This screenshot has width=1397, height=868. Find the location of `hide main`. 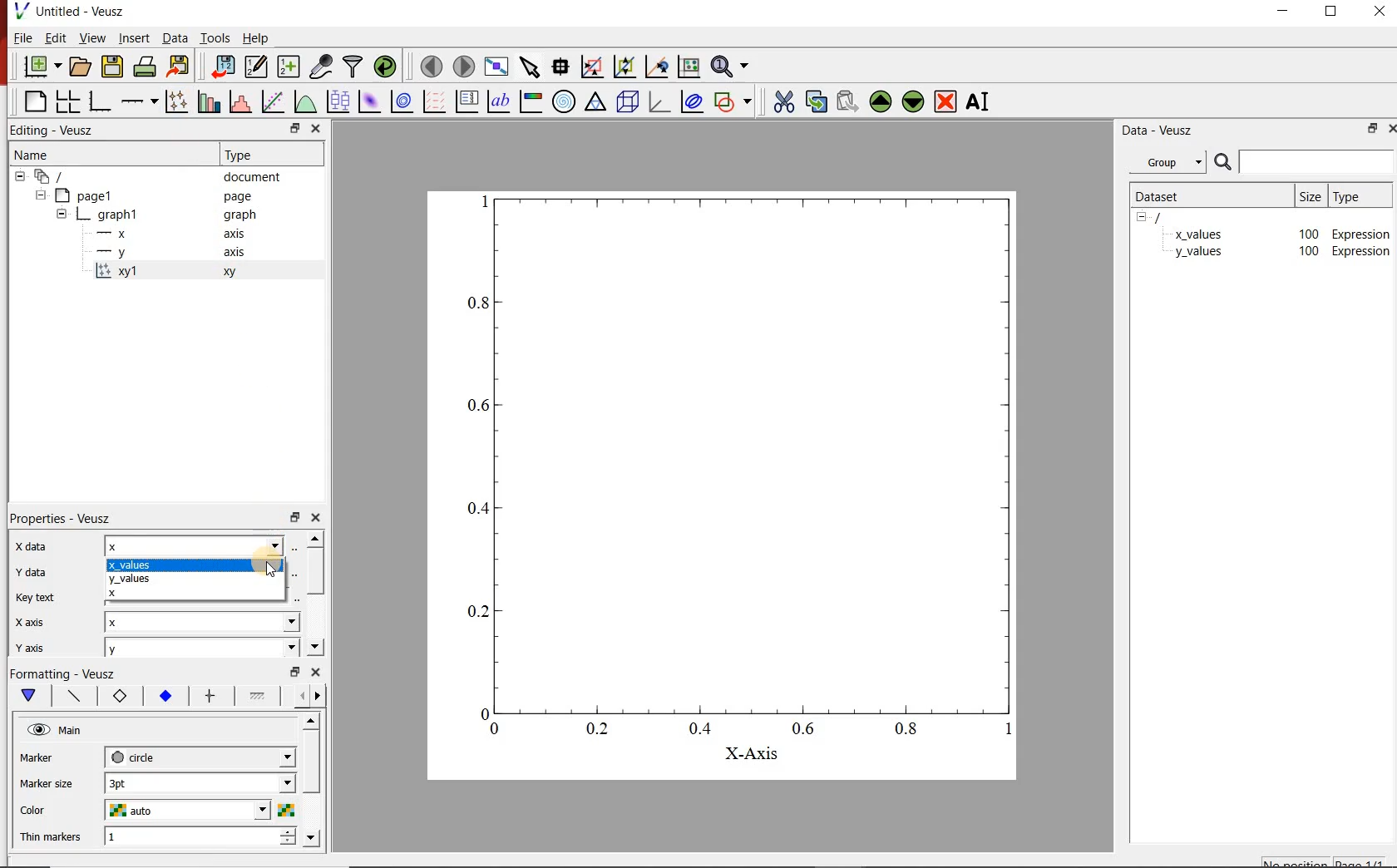

hide main is located at coordinates (57, 730).